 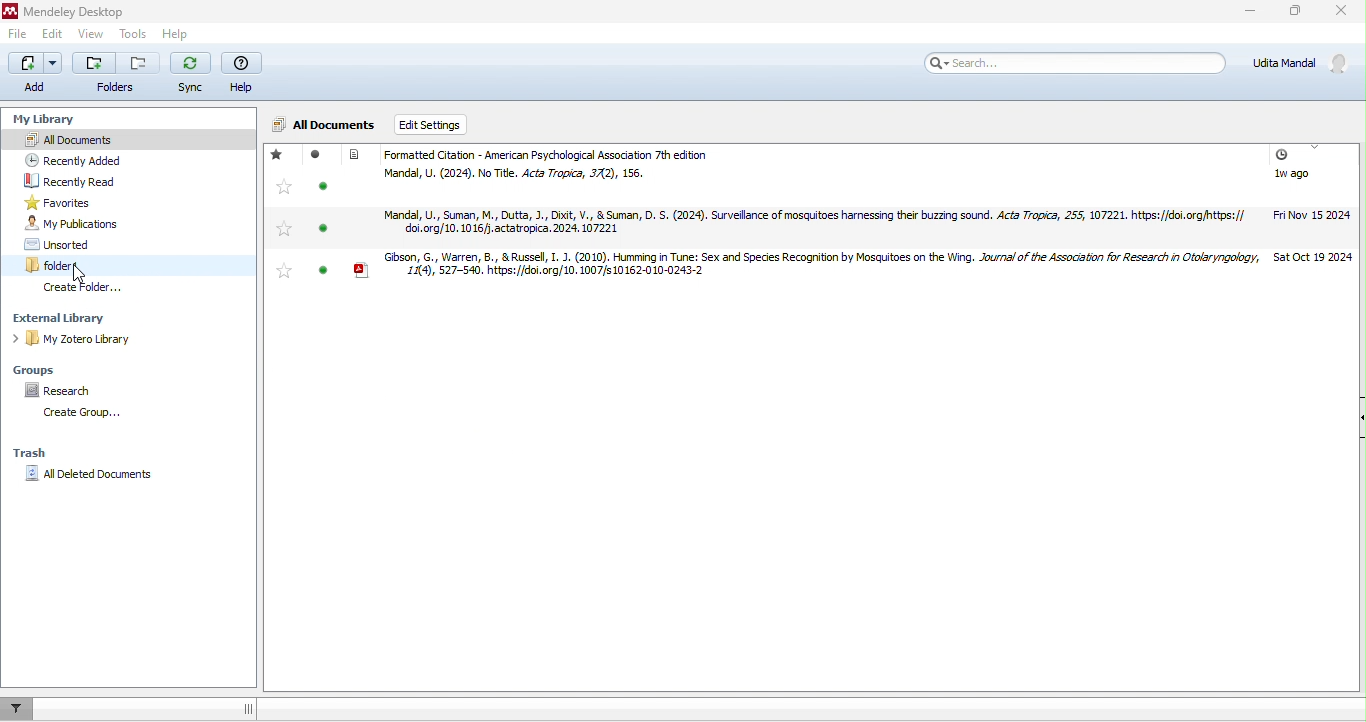 What do you see at coordinates (31, 453) in the screenshot?
I see `trash` at bounding box center [31, 453].